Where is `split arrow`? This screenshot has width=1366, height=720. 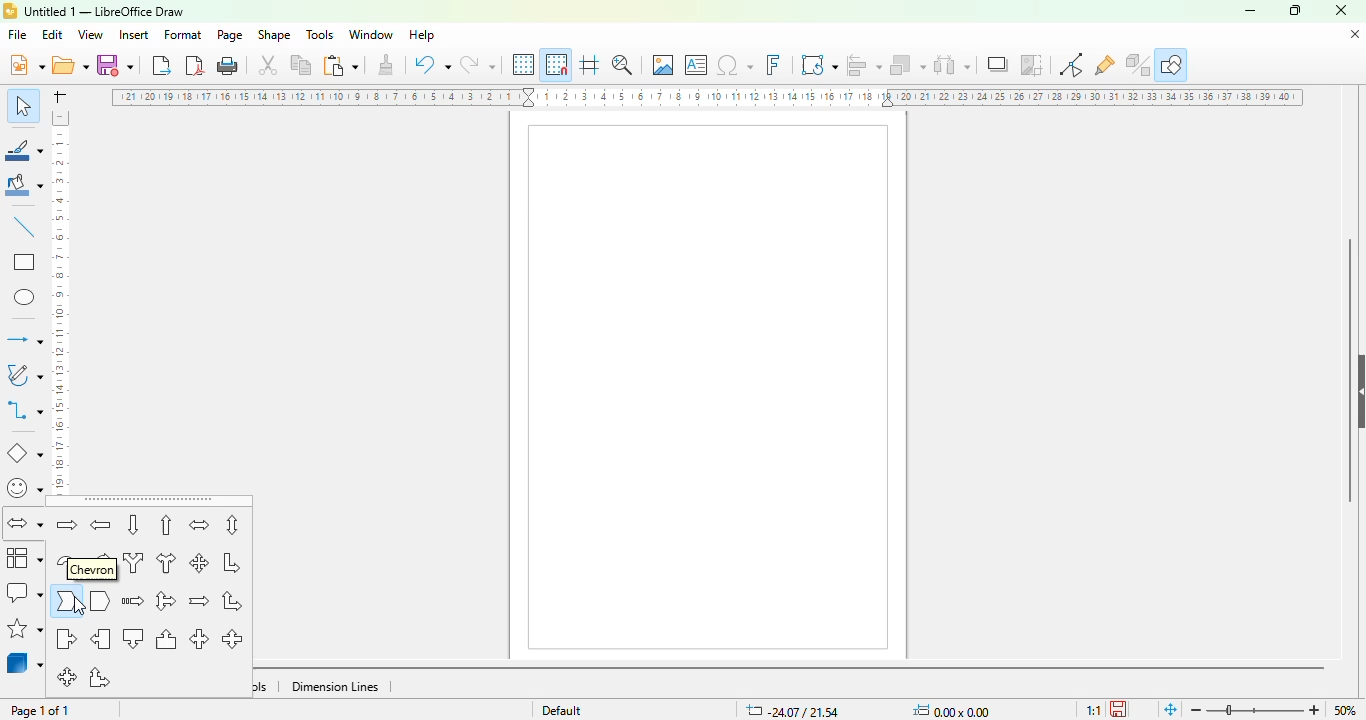
split arrow is located at coordinates (134, 564).